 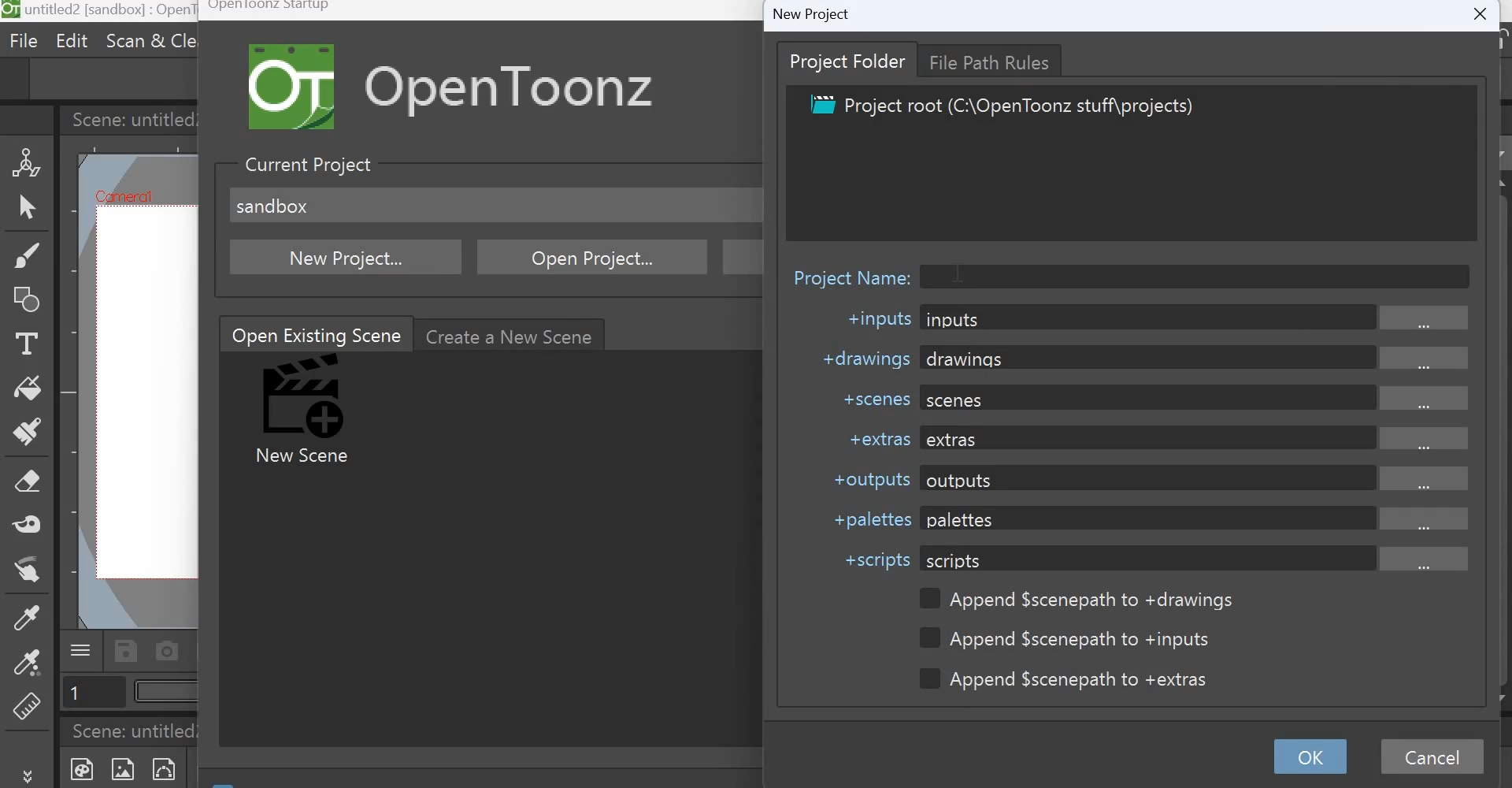 I want to click on Append $scenepath to +inputs, so click(x=1071, y=639).